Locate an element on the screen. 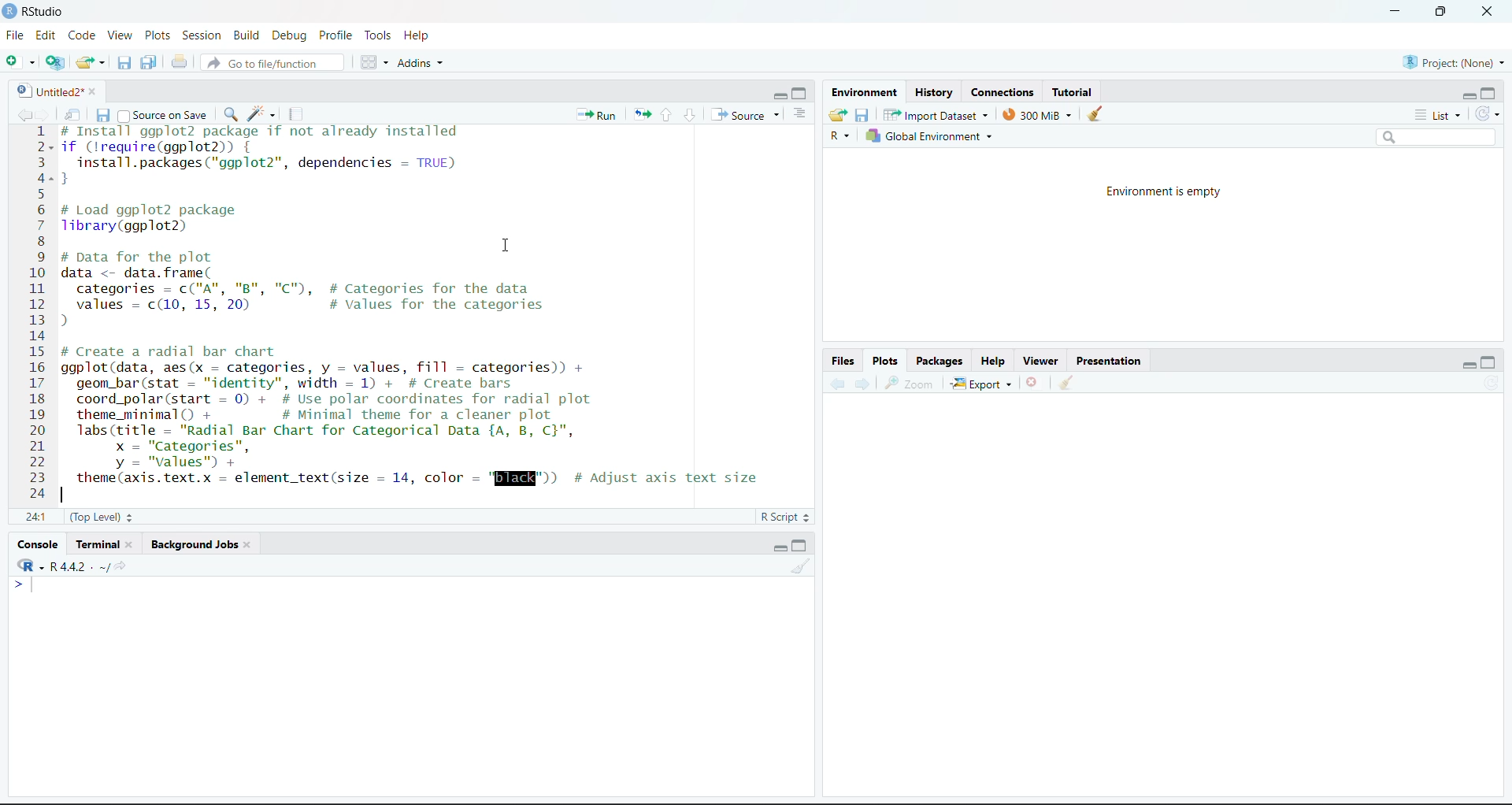  go to next section/chunk is located at coordinates (691, 114).